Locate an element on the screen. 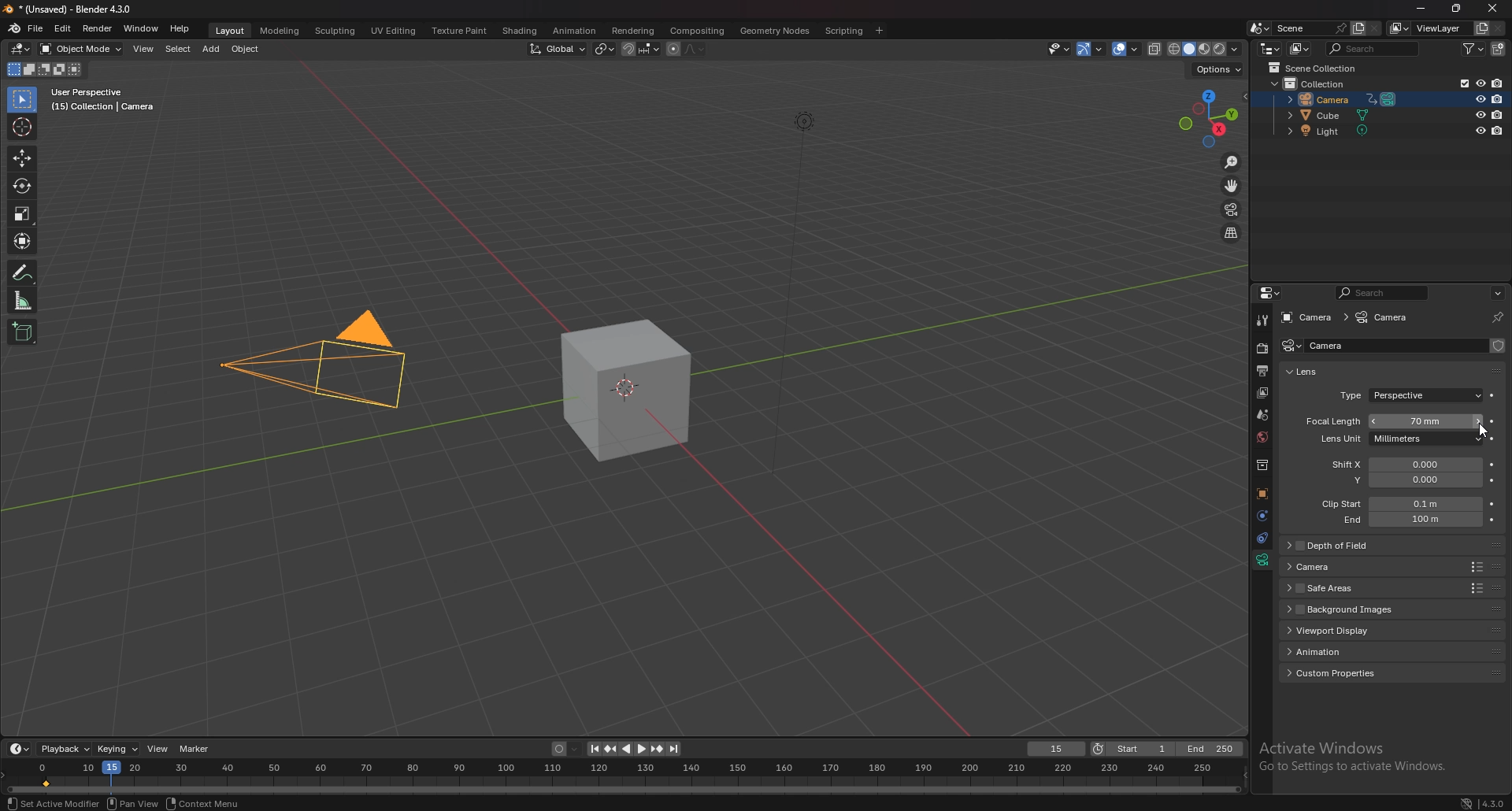 The height and width of the screenshot is (811, 1512). clip start is located at coordinates (1397, 503).